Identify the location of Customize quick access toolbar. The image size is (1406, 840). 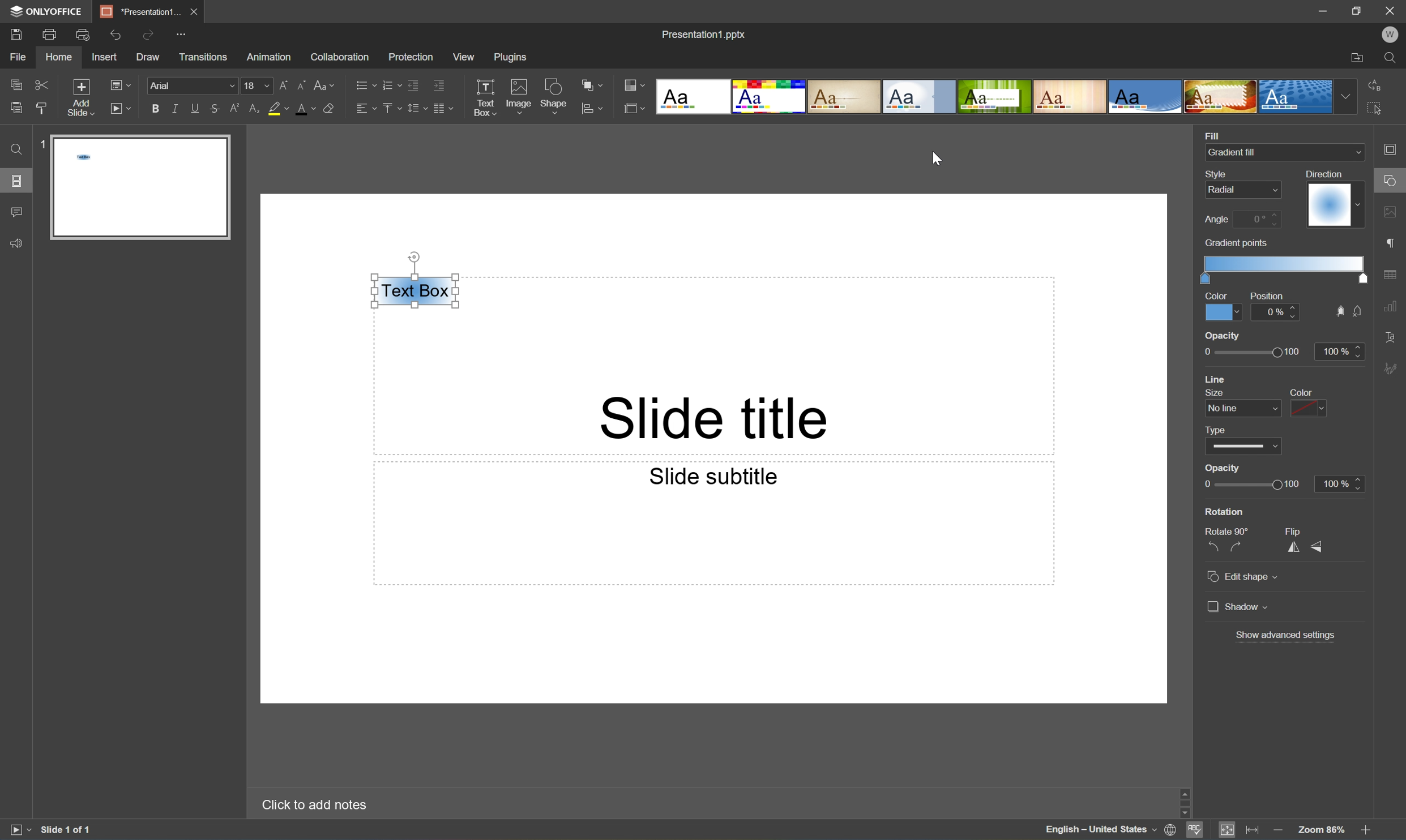
(182, 33).